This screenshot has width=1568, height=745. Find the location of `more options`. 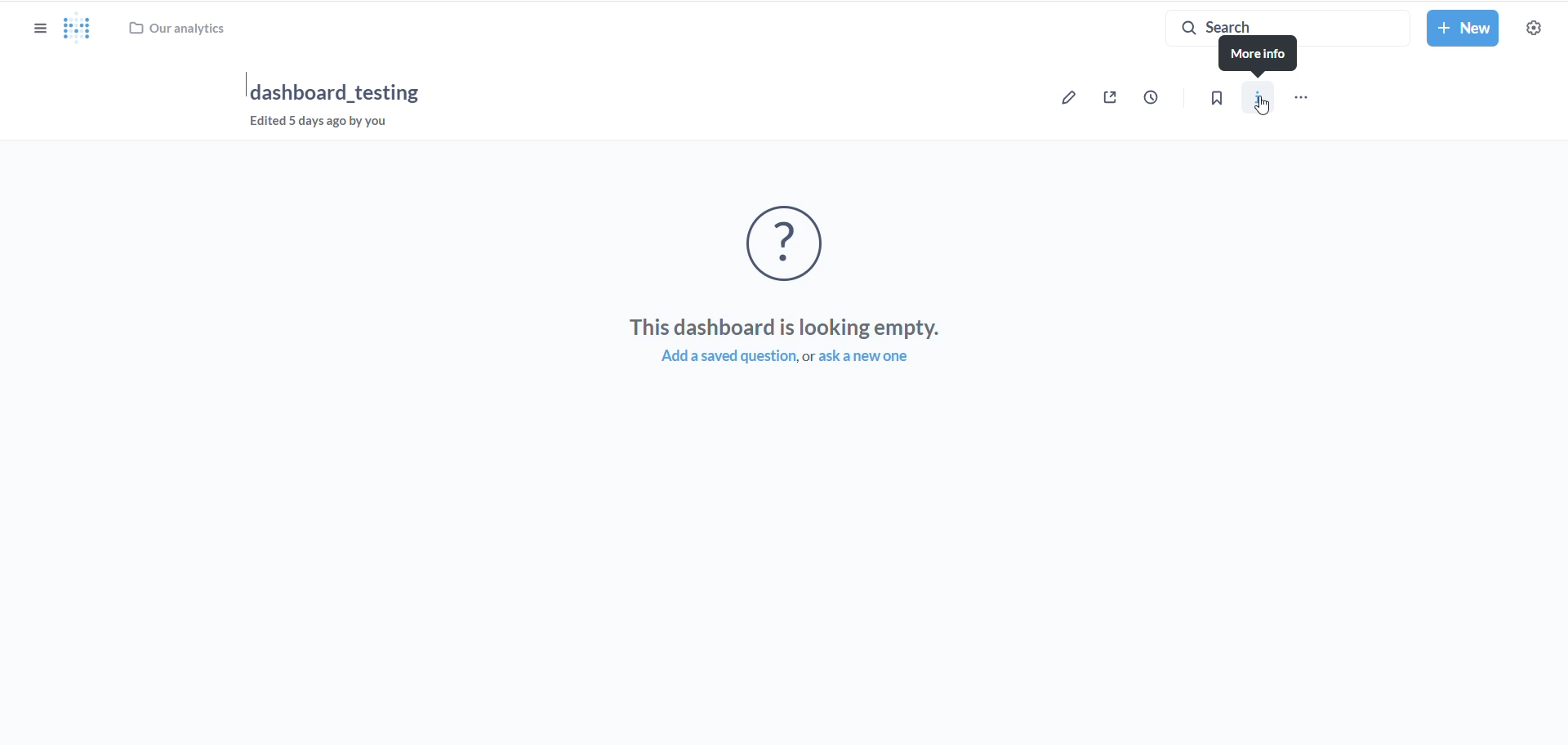

more options is located at coordinates (1307, 99).